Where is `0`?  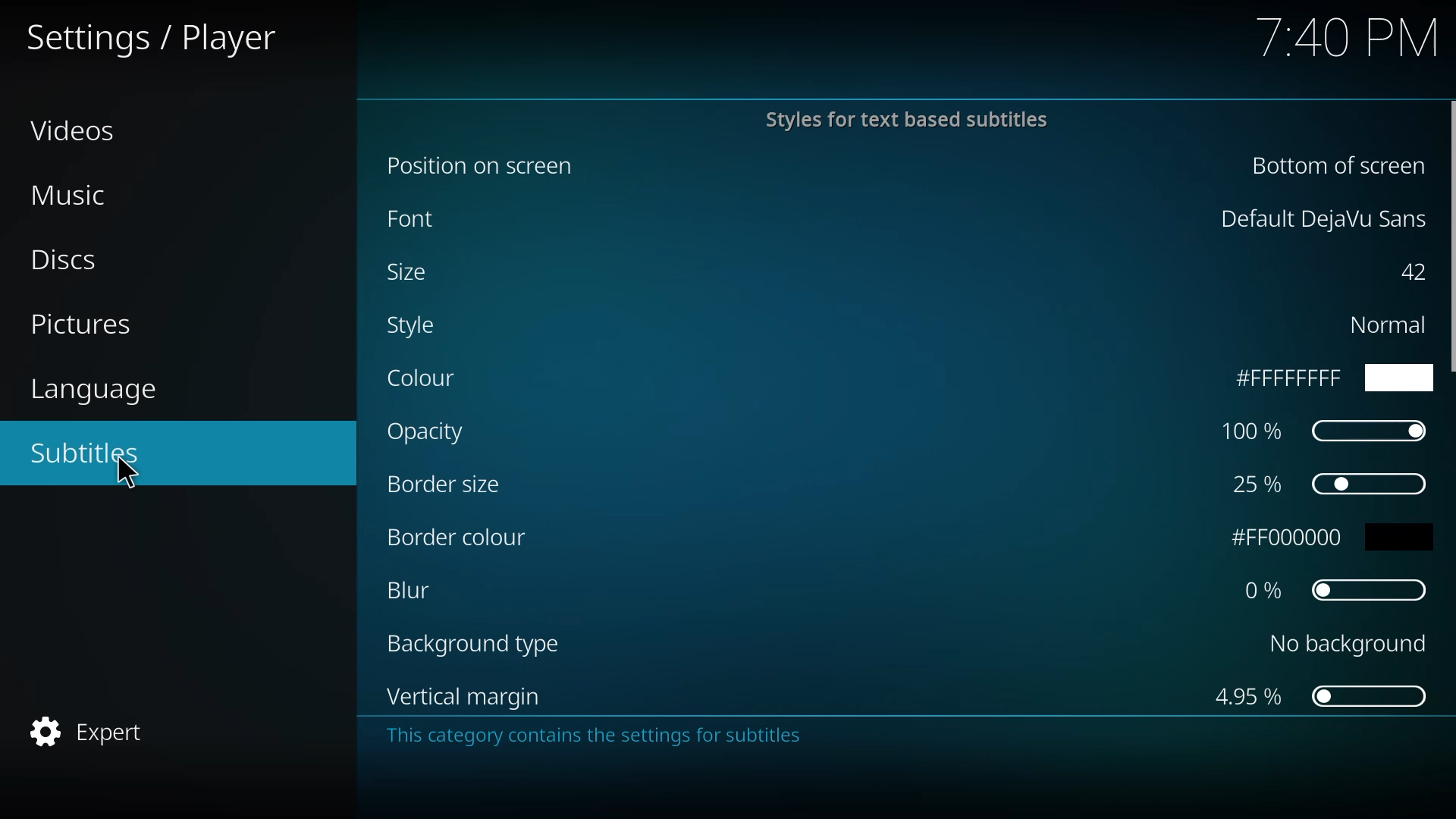
0 is located at coordinates (1335, 588).